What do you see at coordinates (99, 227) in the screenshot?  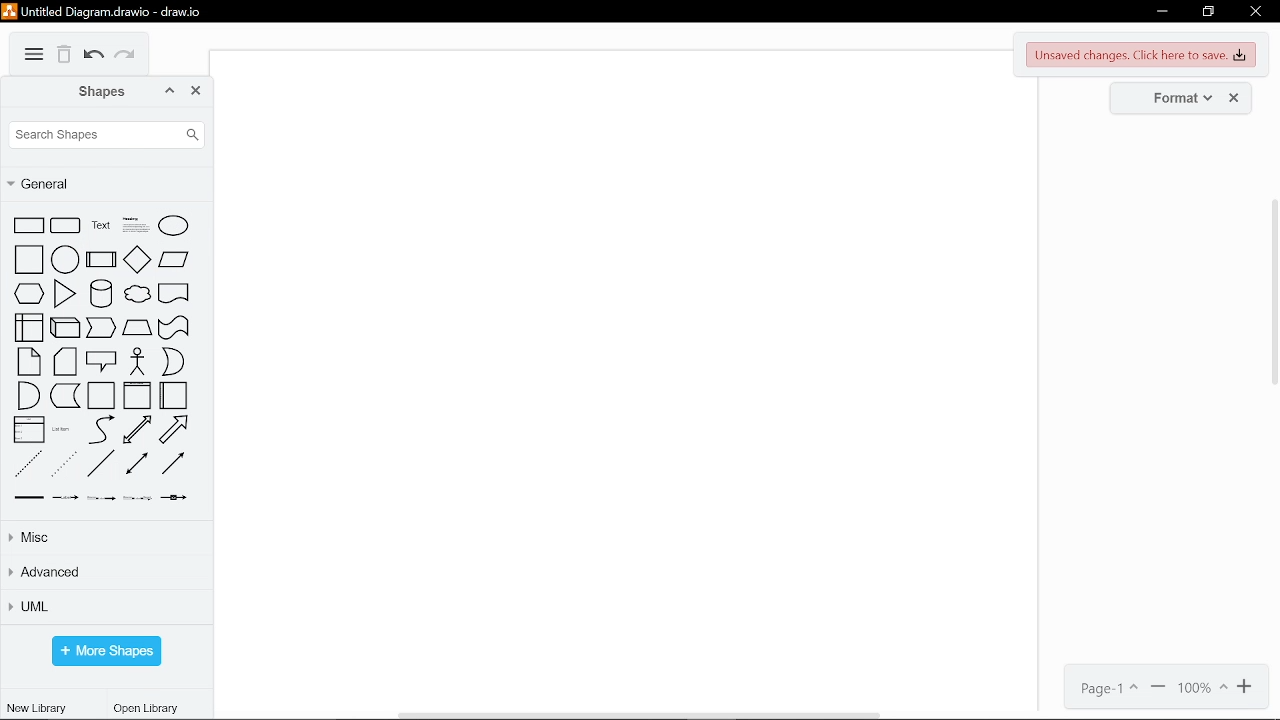 I see `text` at bounding box center [99, 227].